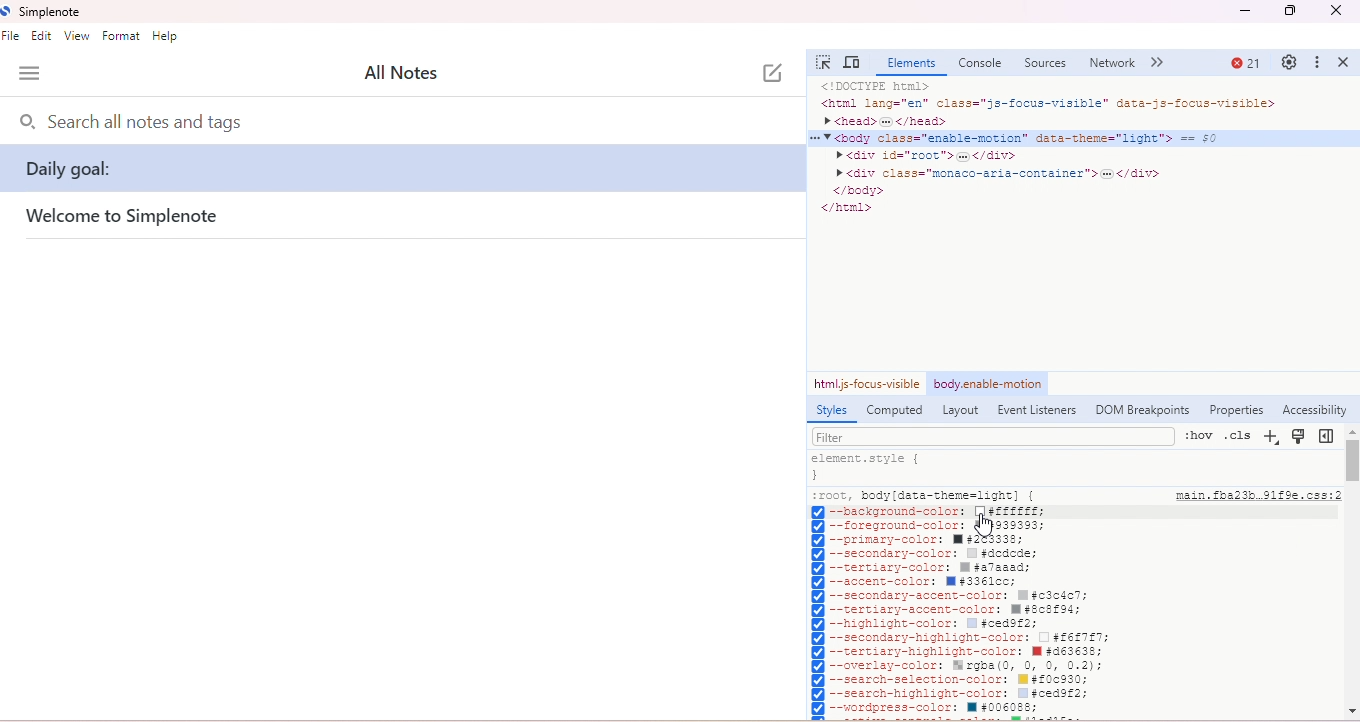 This screenshot has width=1360, height=722. What do you see at coordinates (1314, 411) in the screenshot?
I see `acessibility` at bounding box center [1314, 411].